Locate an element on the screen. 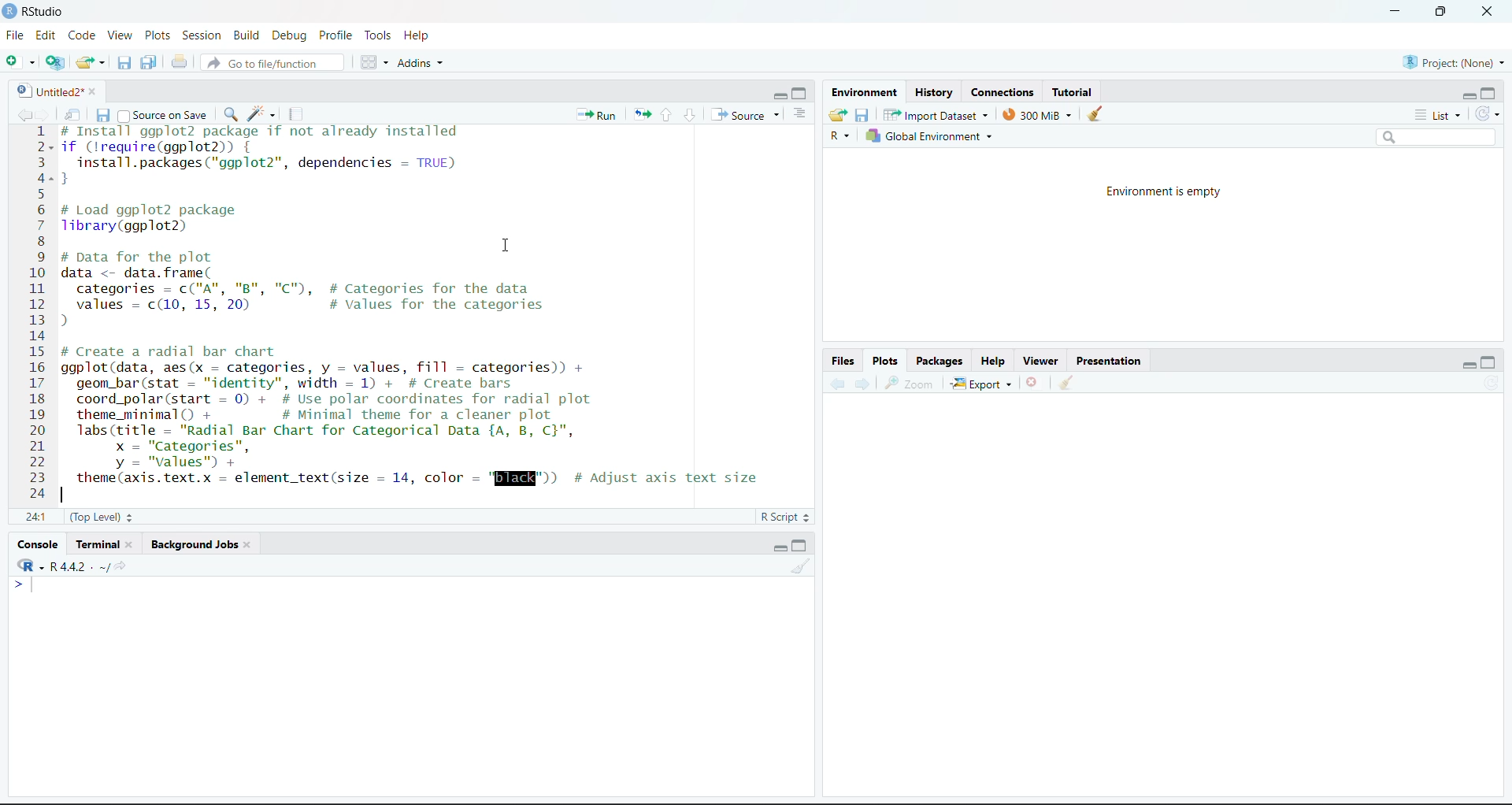 This screenshot has width=1512, height=805. Plots is located at coordinates (887, 361).